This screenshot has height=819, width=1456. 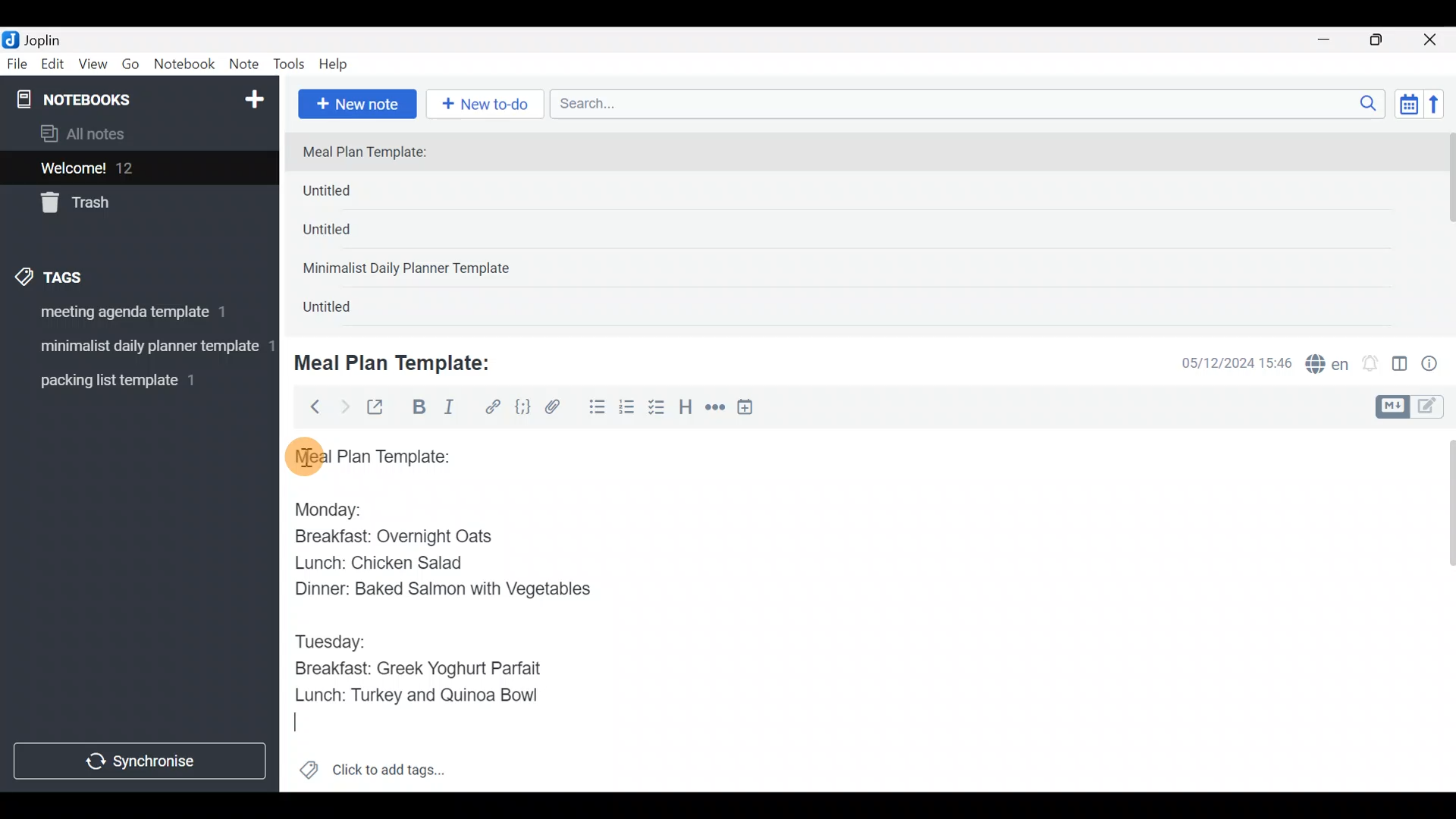 What do you see at coordinates (185, 64) in the screenshot?
I see `Notebook` at bounding box center [185, 64].